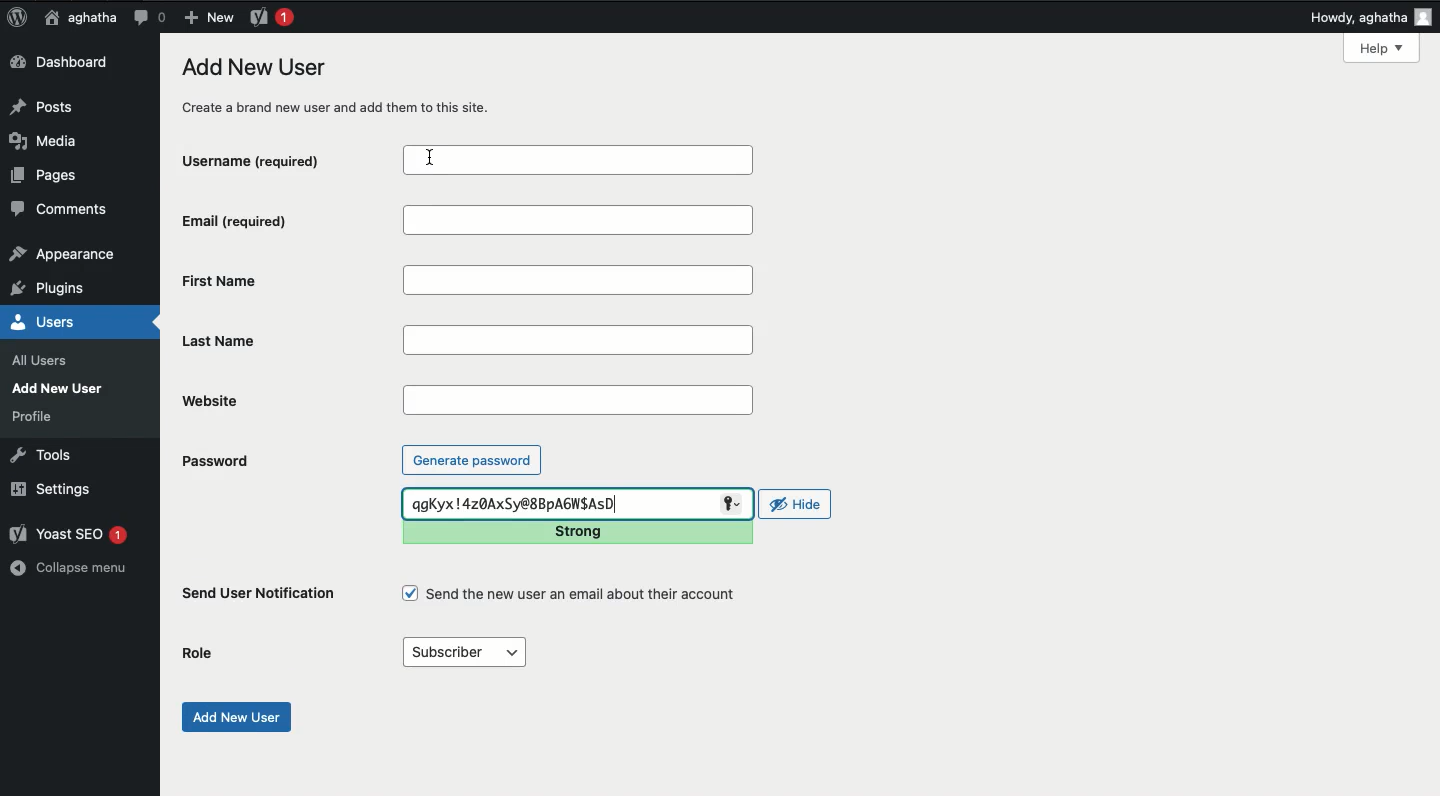  I want to click on Add new user, so click(234, 717).